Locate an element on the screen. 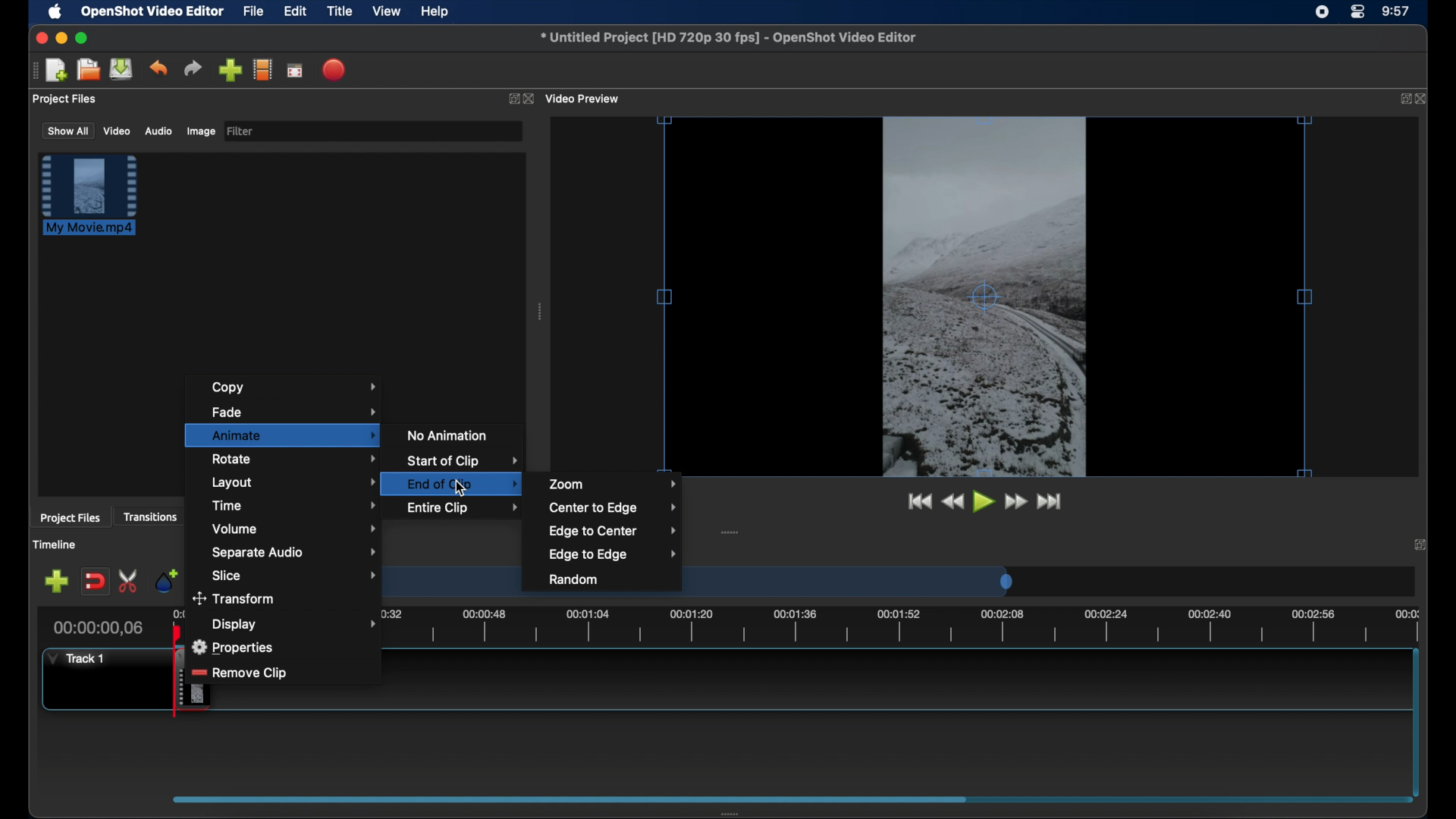 This screenshot has width=1456, height=819. file is located at coordinates (254, 12).